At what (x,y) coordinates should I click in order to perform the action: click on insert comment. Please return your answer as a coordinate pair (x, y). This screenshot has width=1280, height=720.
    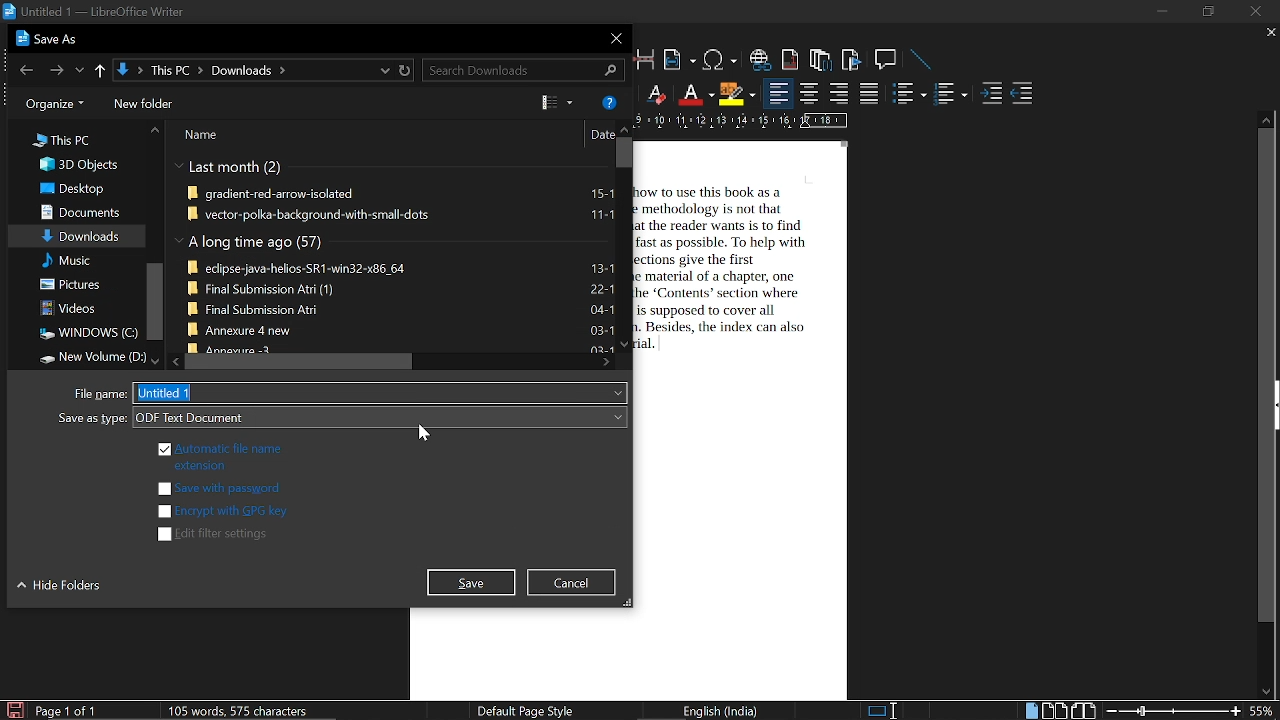
    Looking at the image, I should click on (887, 60).